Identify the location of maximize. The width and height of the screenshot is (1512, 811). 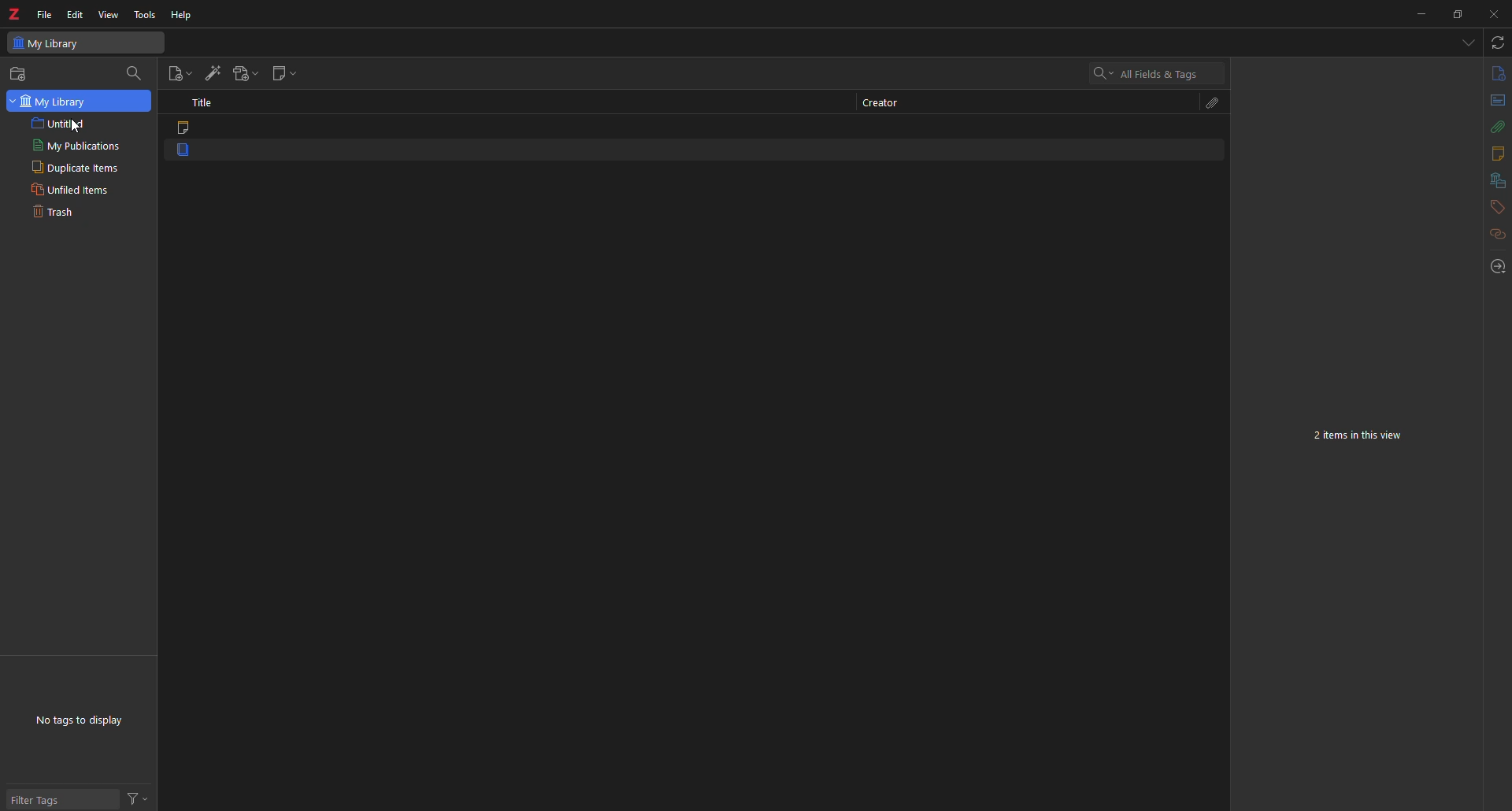
(1460, 13).